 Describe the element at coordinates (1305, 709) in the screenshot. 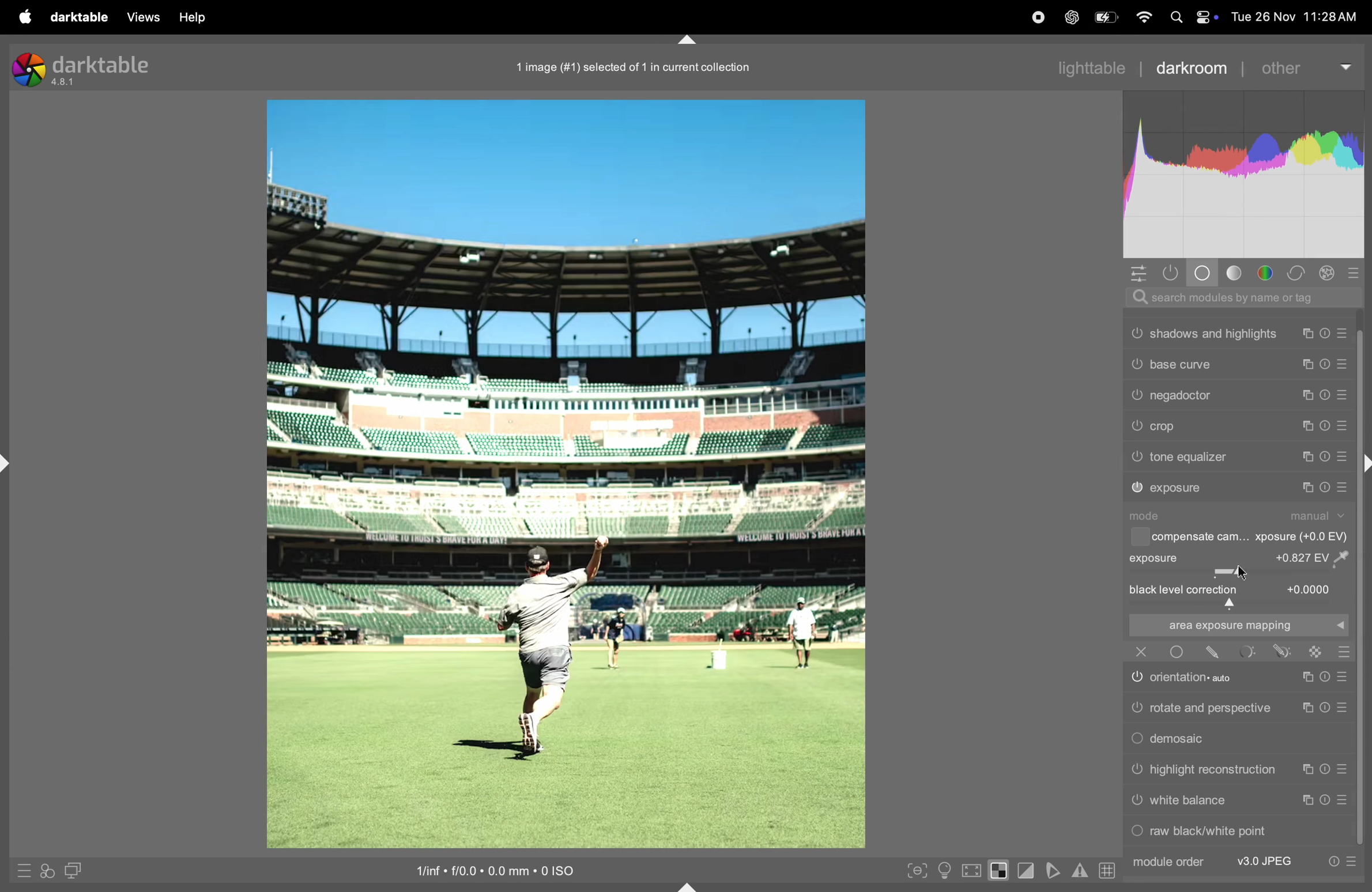

I see `copy` at that location.